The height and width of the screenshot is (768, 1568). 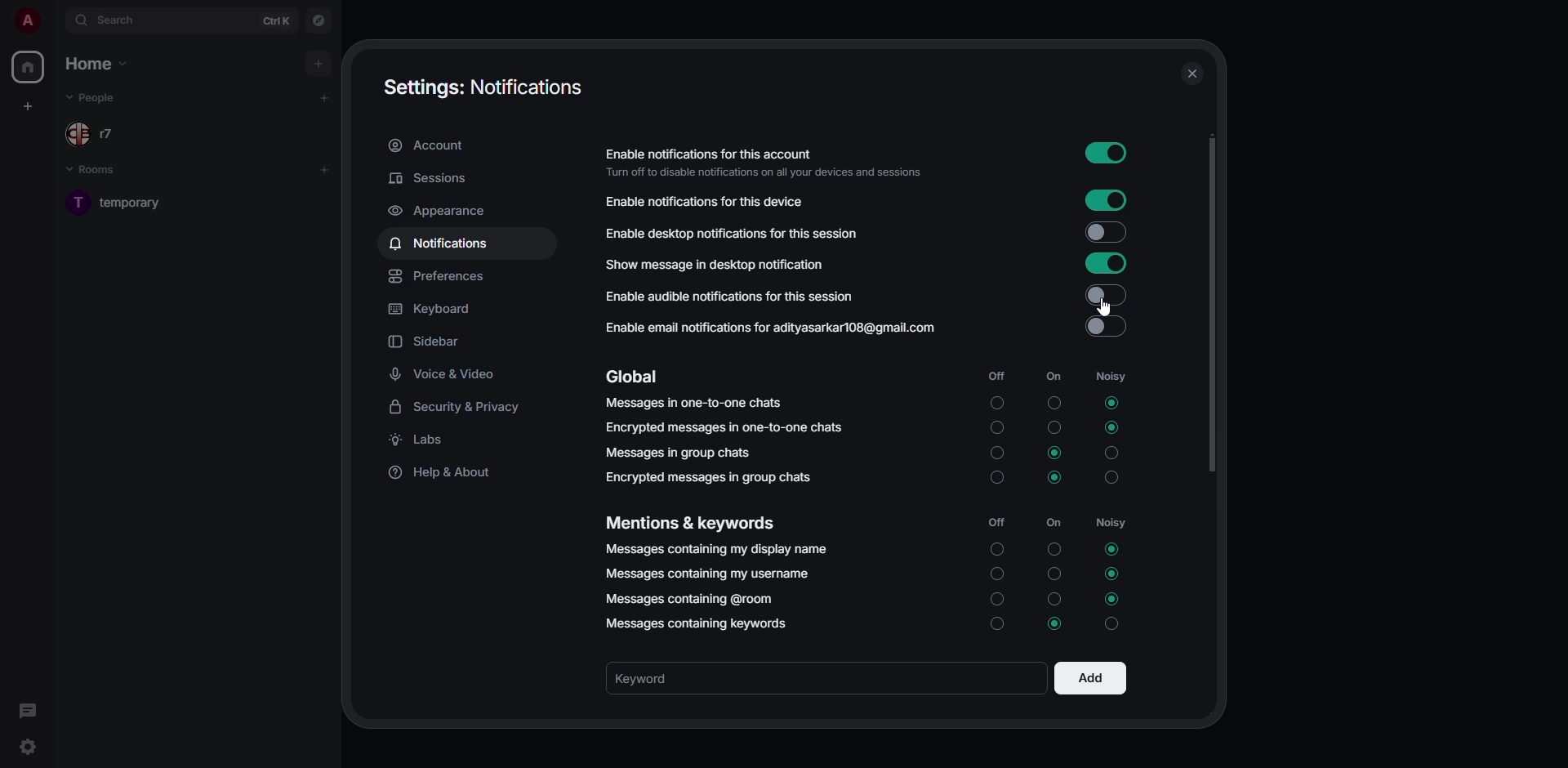 What do you see at coordinates (461, 405) in the screenshot?
I see `security & privacy` at bounding box center [461, 405].